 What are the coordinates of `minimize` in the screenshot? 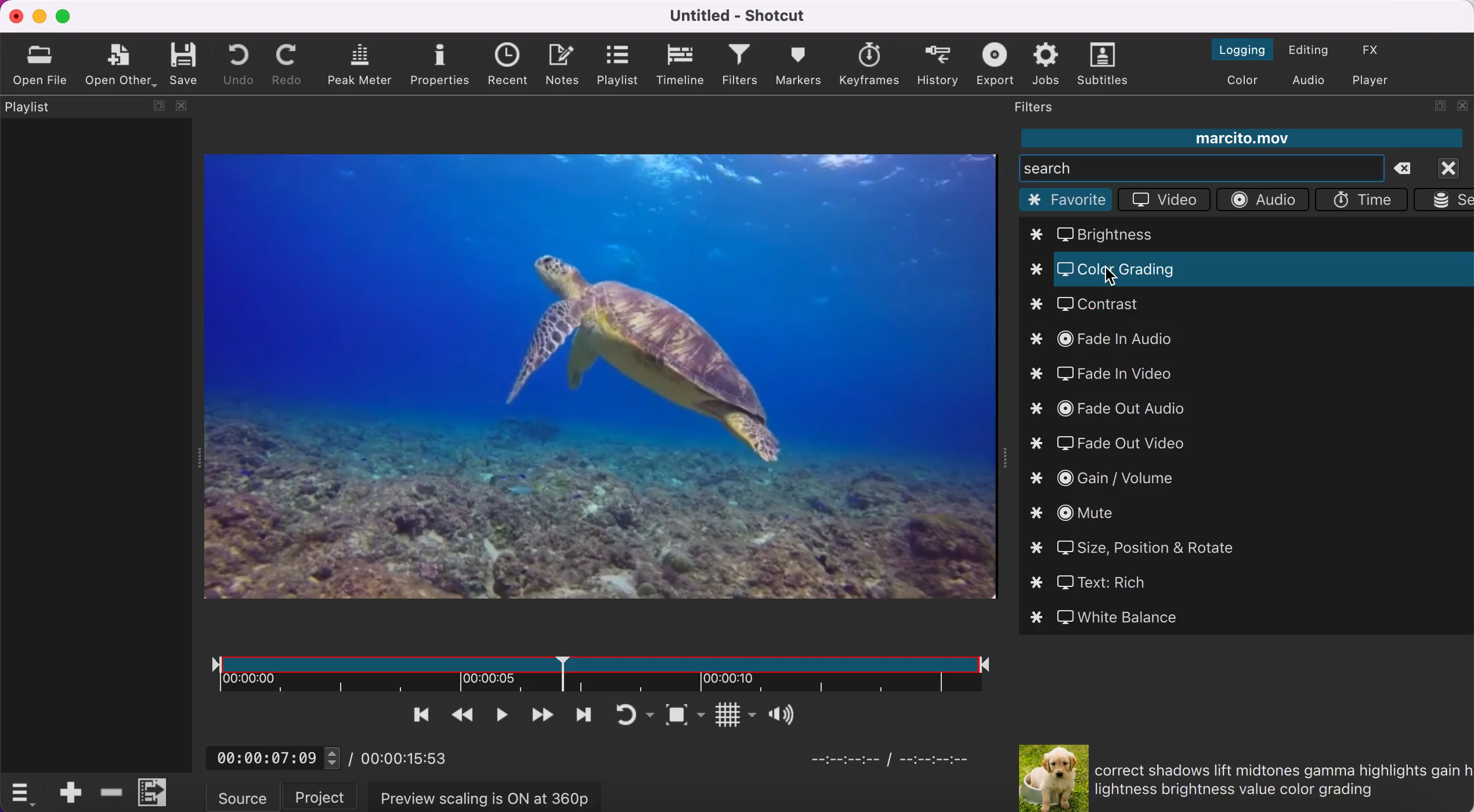 It's located at (39, 16).